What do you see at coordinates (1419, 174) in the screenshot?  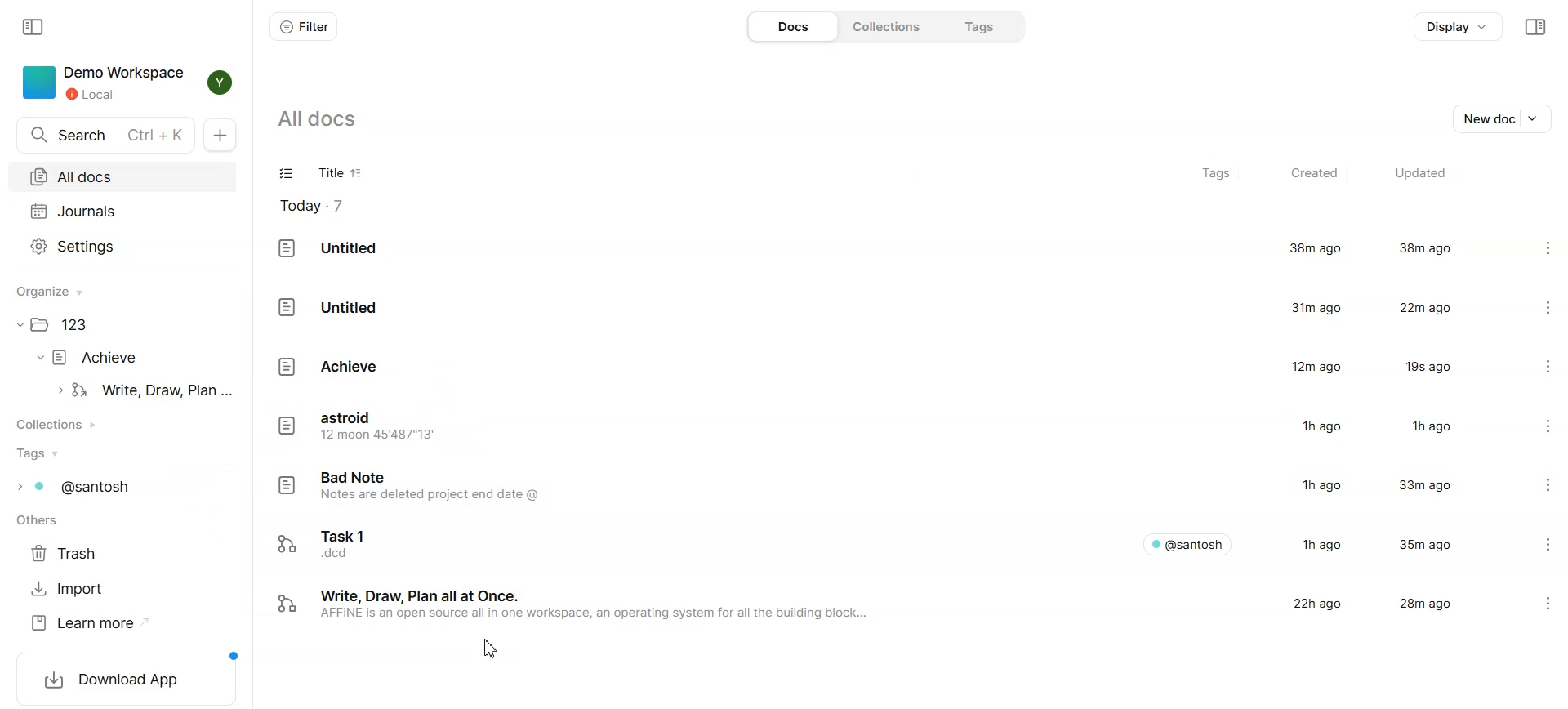 I see `Updated` at bounding box center [1419, 174].